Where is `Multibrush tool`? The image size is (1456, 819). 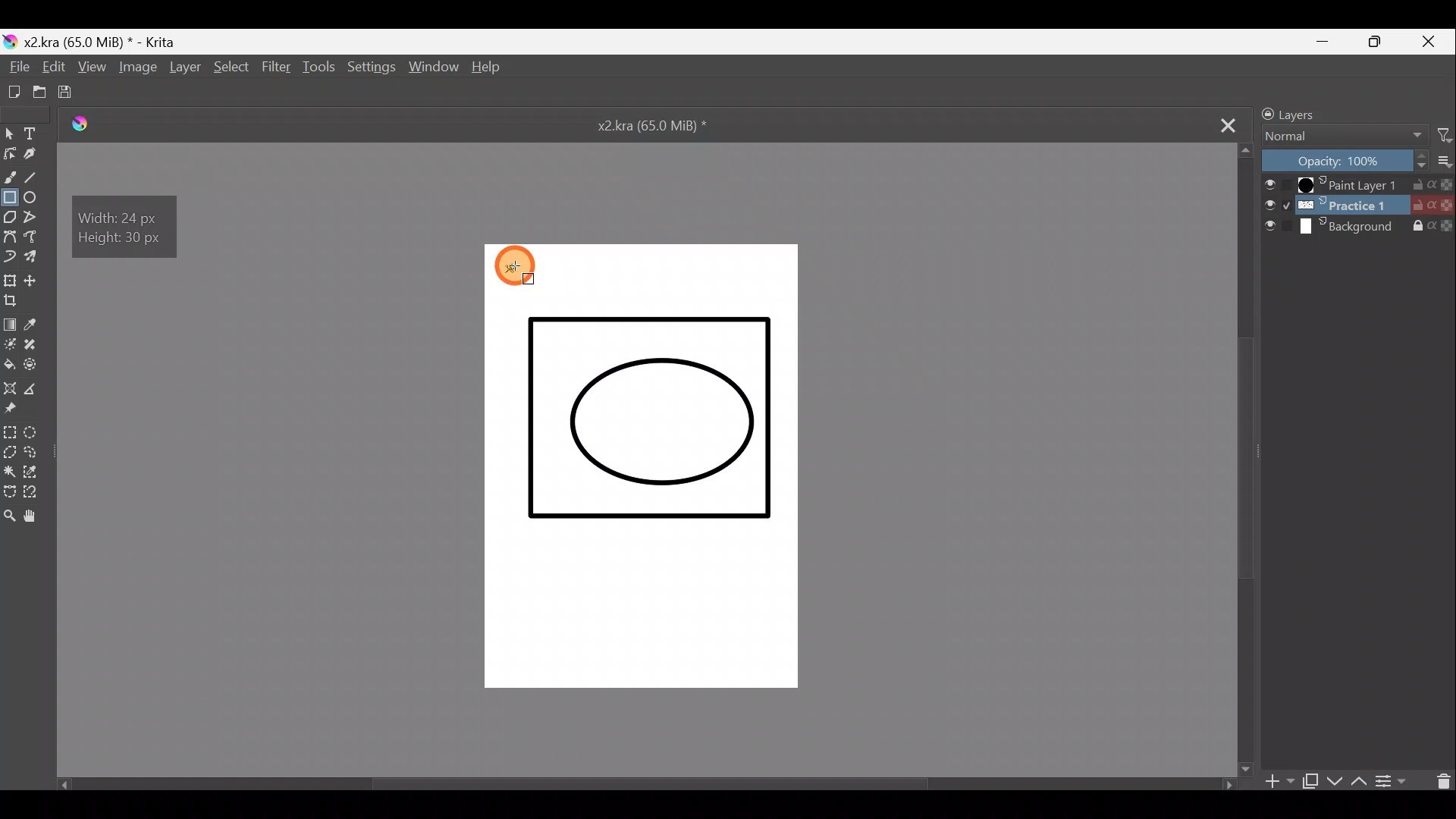
Multibrush tool is located at coordinates (37, 257).